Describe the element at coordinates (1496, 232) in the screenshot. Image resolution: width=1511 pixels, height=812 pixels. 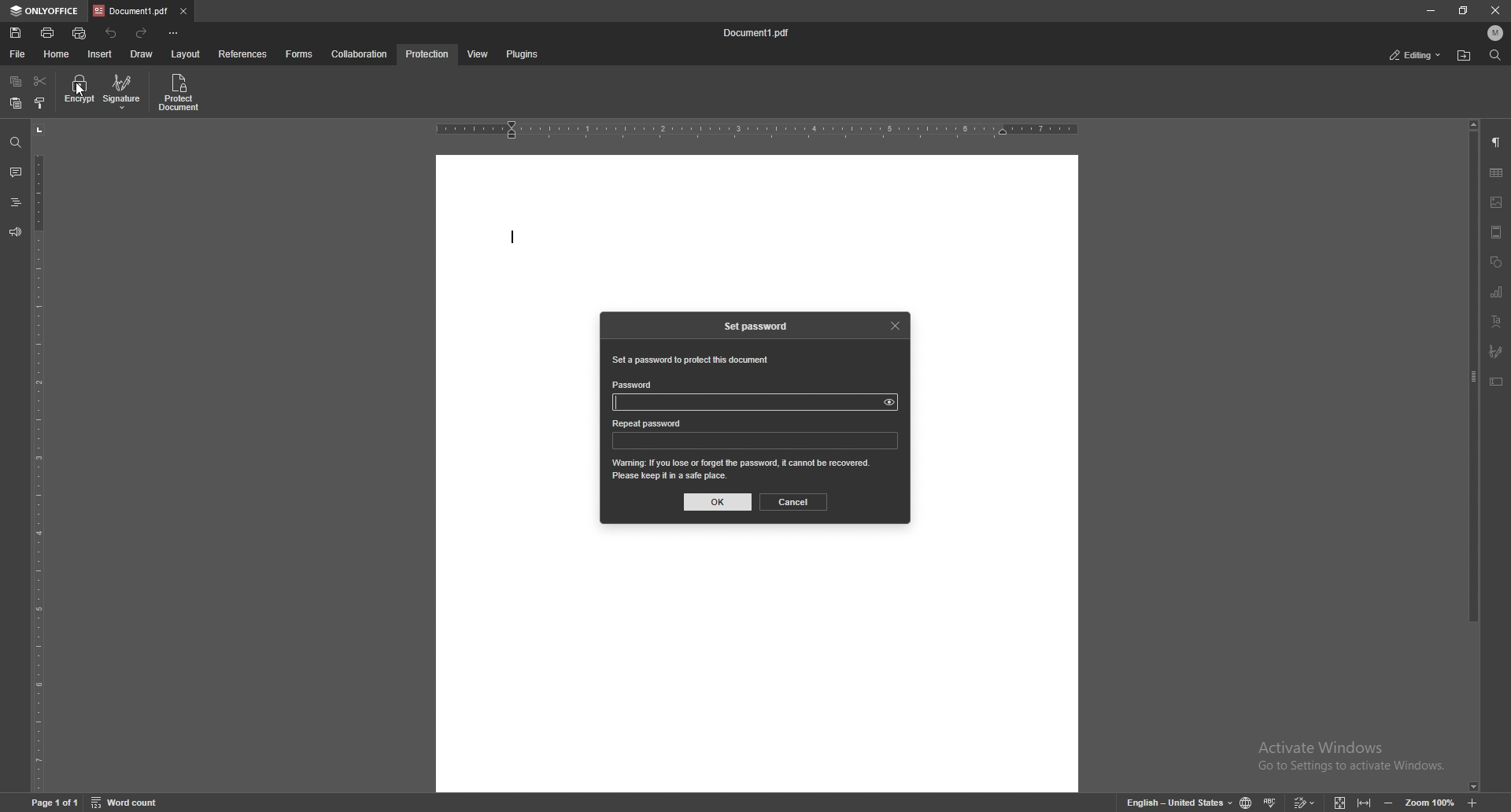
I see `header and footer` at that location.